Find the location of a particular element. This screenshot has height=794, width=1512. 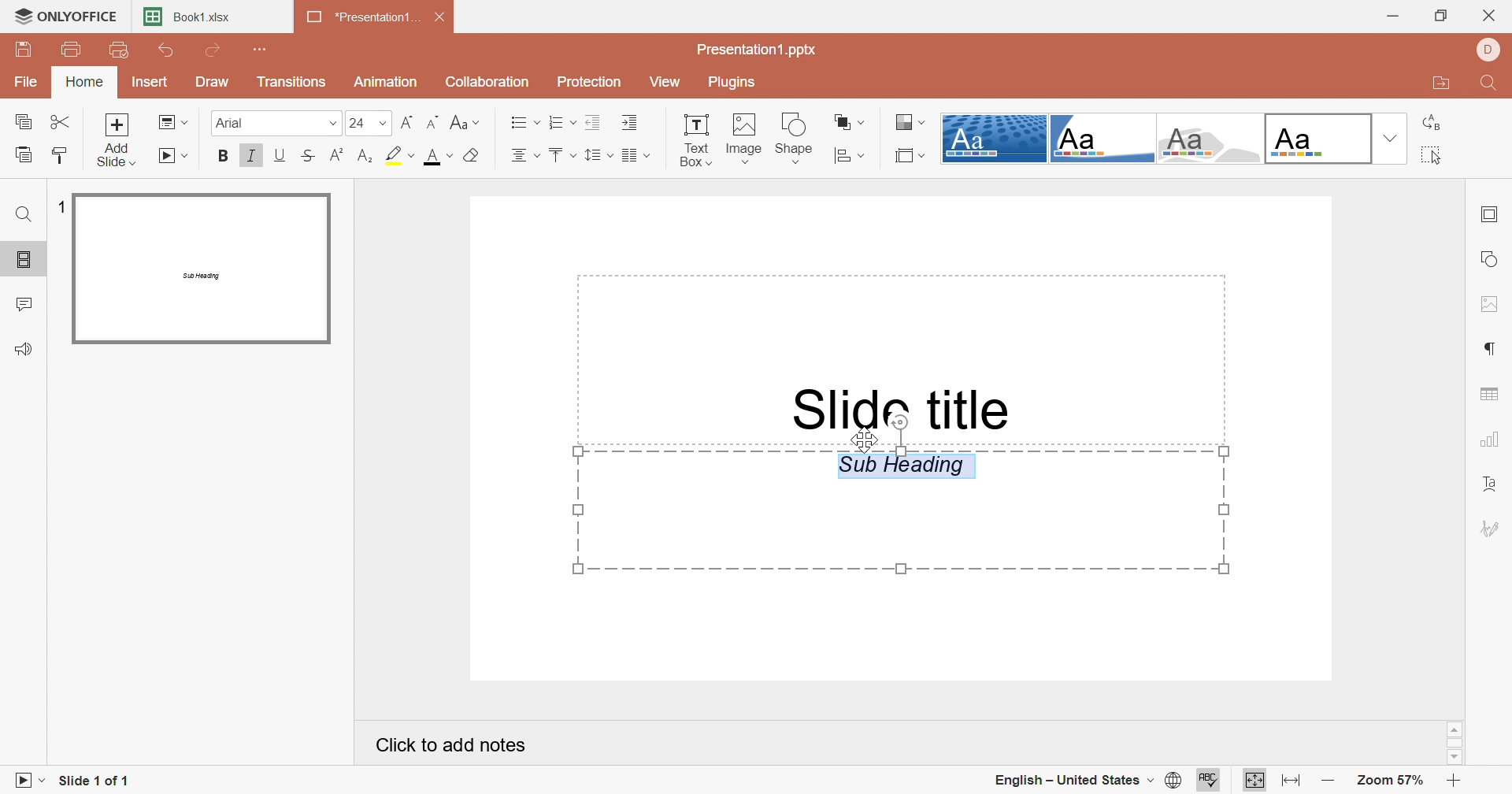

Draw is located at coordinates (213, 82).